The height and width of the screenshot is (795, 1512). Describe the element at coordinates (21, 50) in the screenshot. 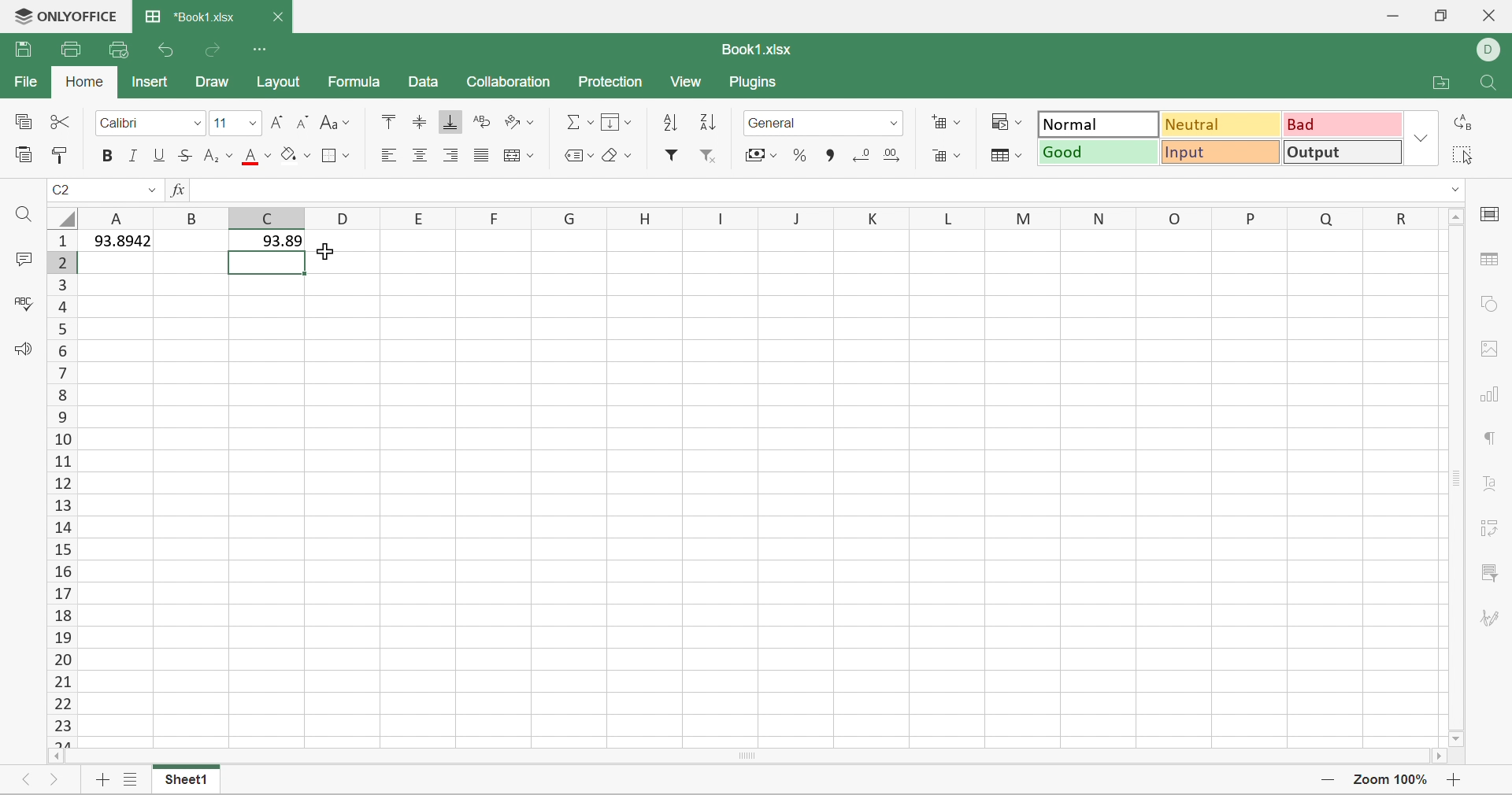

I see `Save` at that location.